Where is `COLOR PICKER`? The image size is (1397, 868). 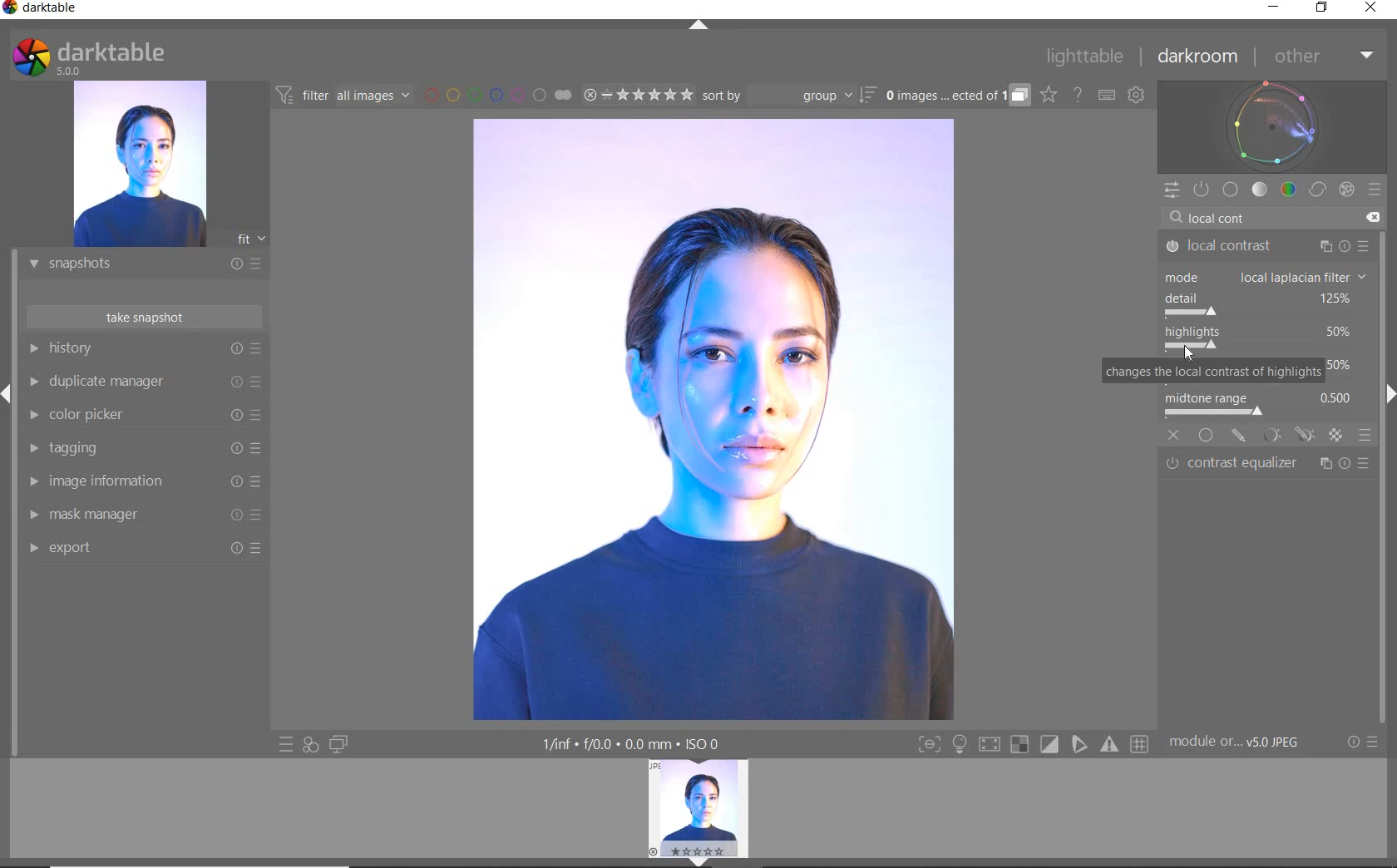
COLOR PICKER is located at coordinates (141, 416).